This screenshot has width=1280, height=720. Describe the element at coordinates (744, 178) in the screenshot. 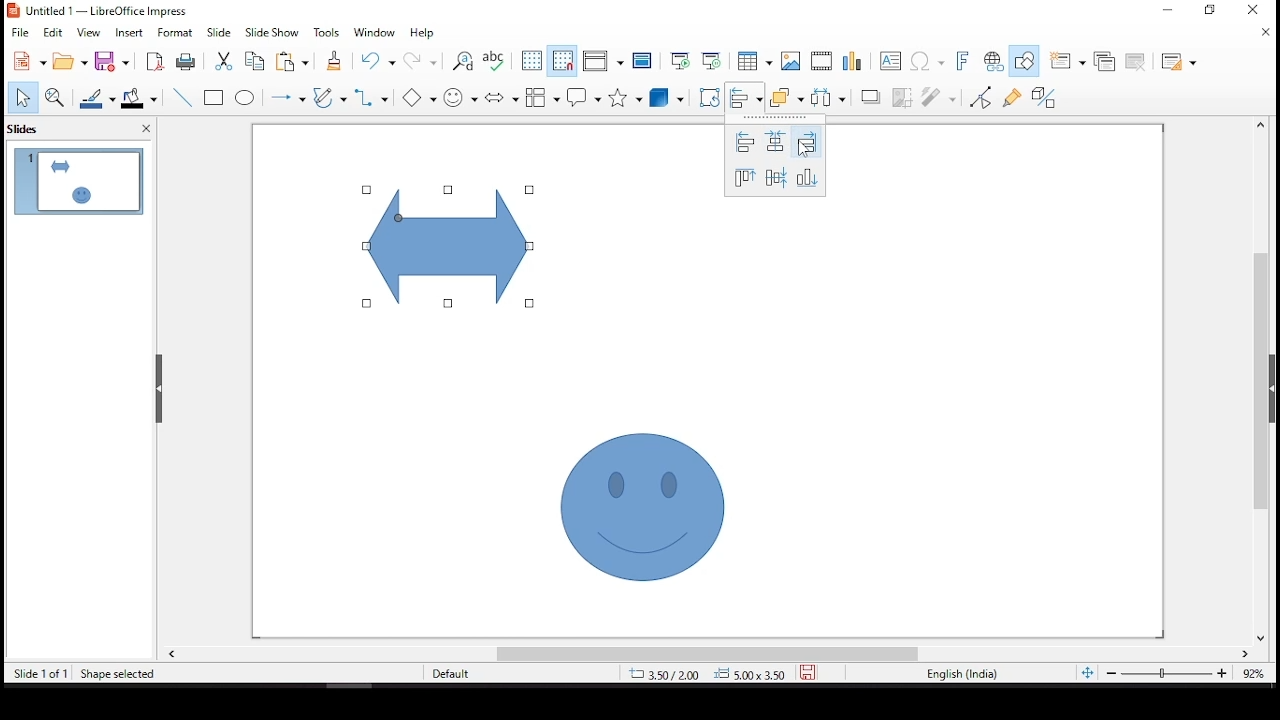

I see `bottom` at that location.